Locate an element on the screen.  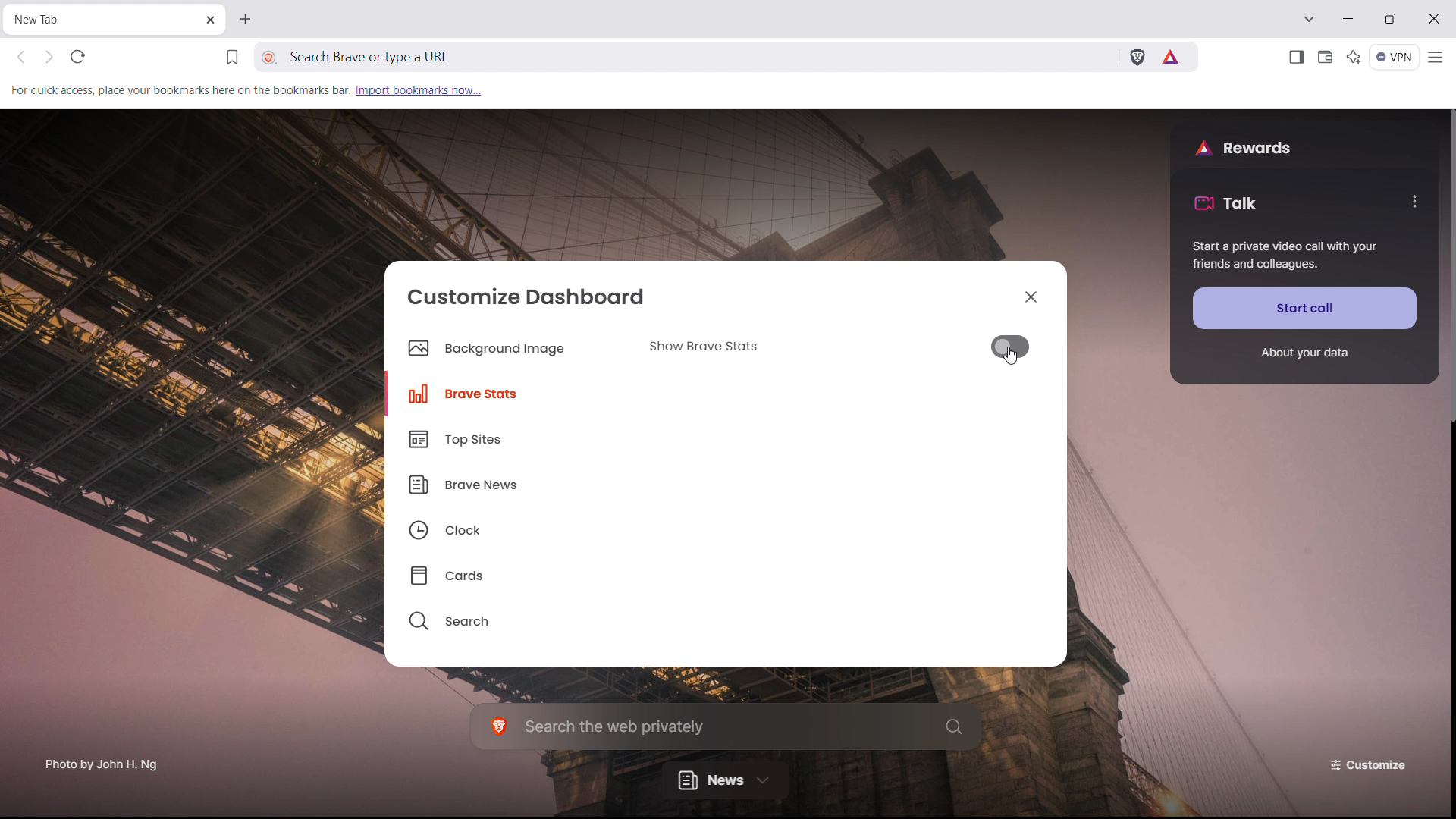
search the web privately is located at coordinates (726, 726).